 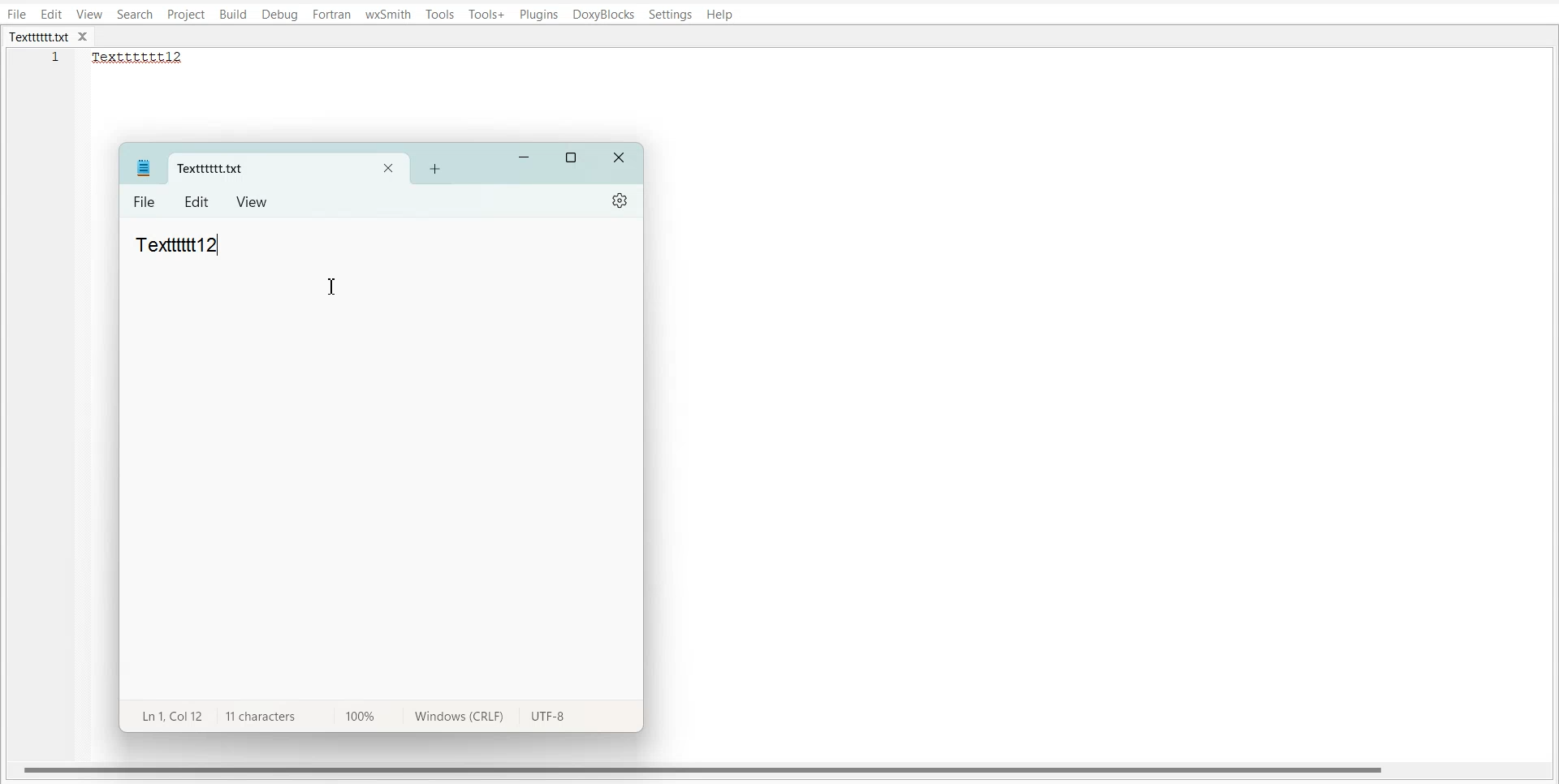 What do you see at coordinates (233, 15) in the screenshot?
I see `Build` at bounding box center [233, 15].